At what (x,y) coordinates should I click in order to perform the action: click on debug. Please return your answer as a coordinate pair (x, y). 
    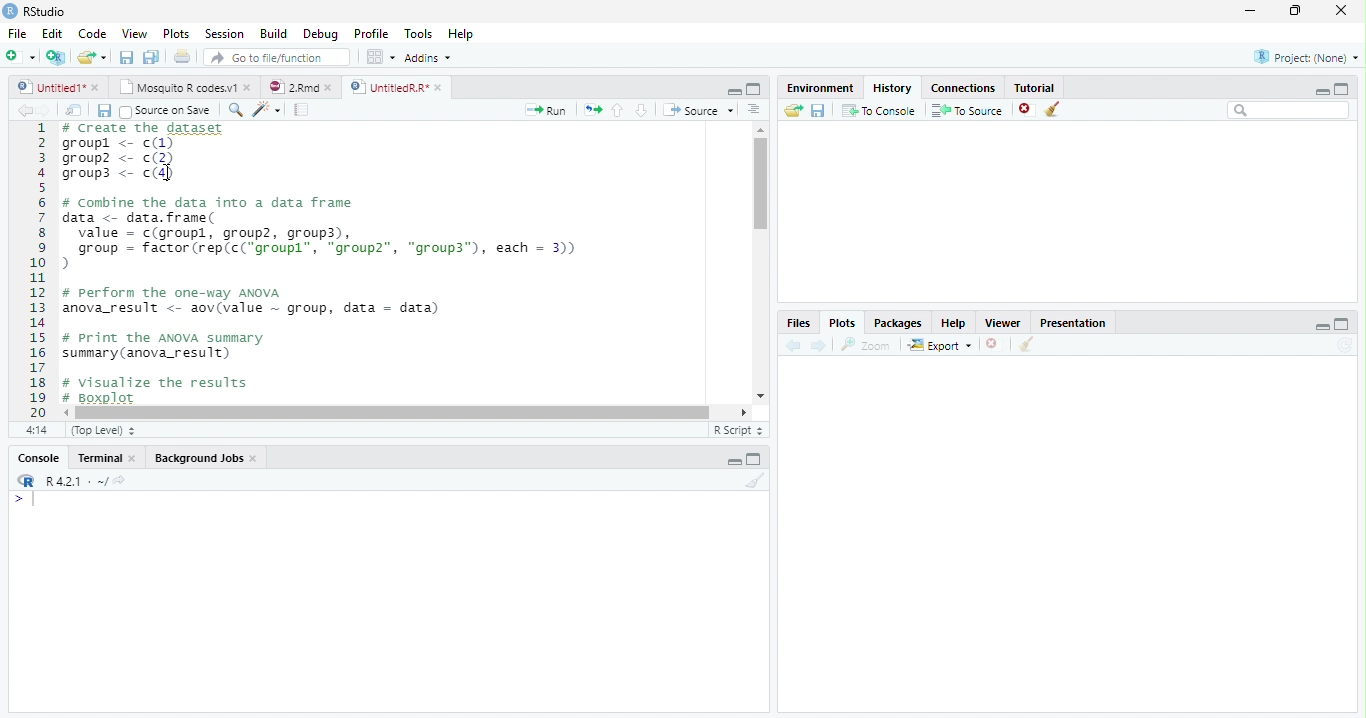
    Looking at the image, I should click on (323, 35).